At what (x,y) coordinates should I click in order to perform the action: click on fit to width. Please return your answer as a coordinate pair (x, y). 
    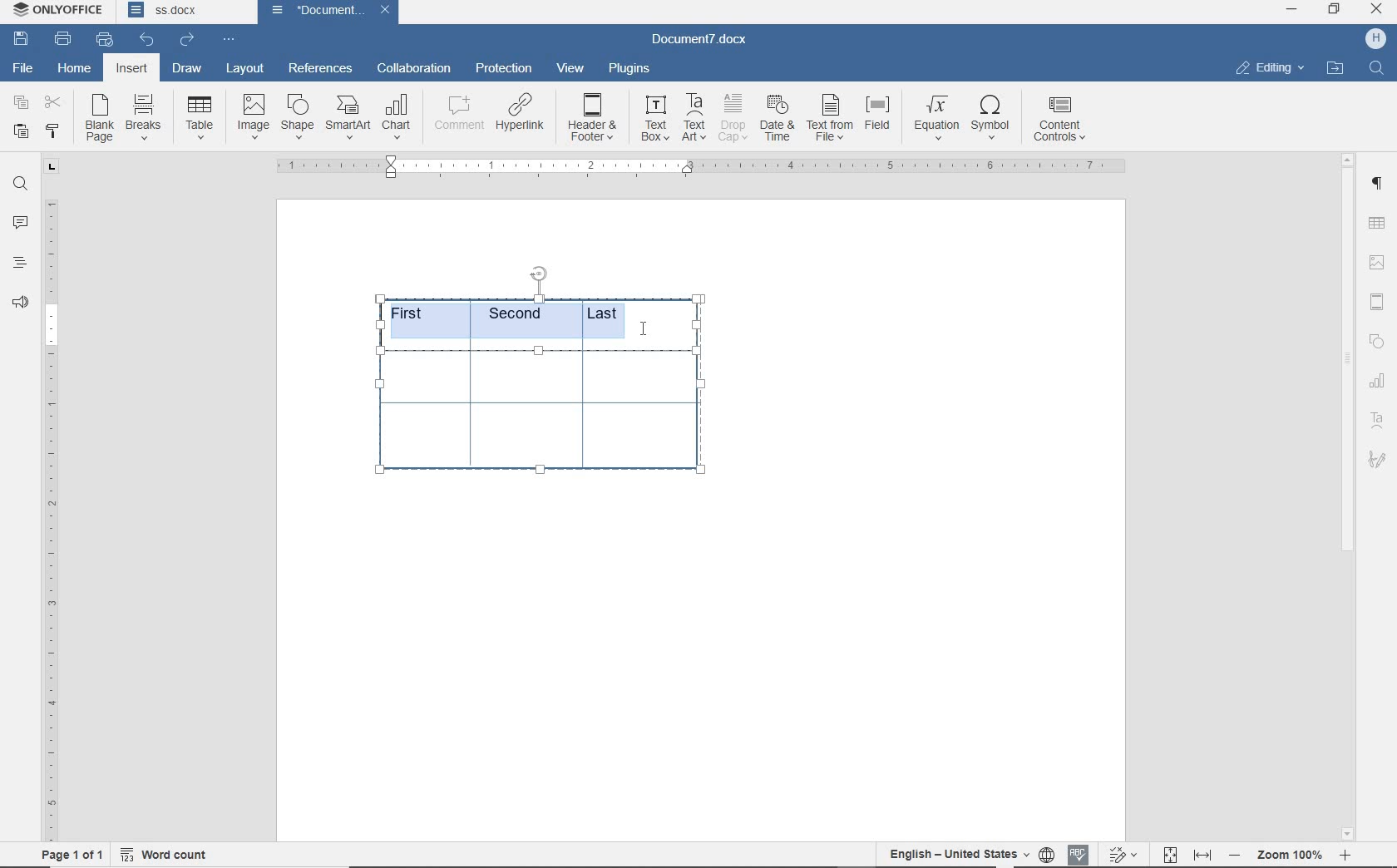
    Looking at the image, I should click on (1202, 852).